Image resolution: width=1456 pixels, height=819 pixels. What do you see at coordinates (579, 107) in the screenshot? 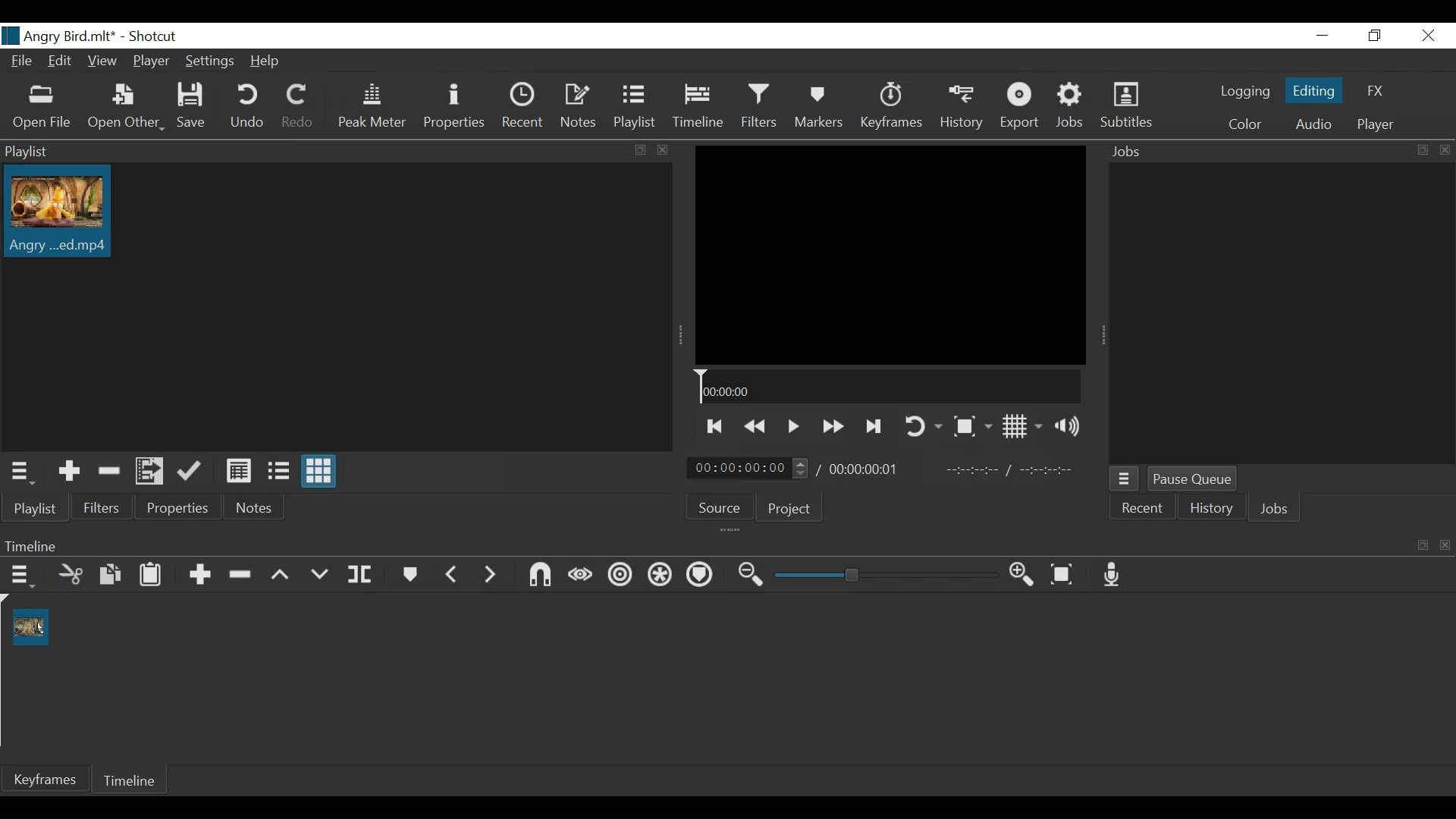
I see `Notes` at bounding box center [579, 107].